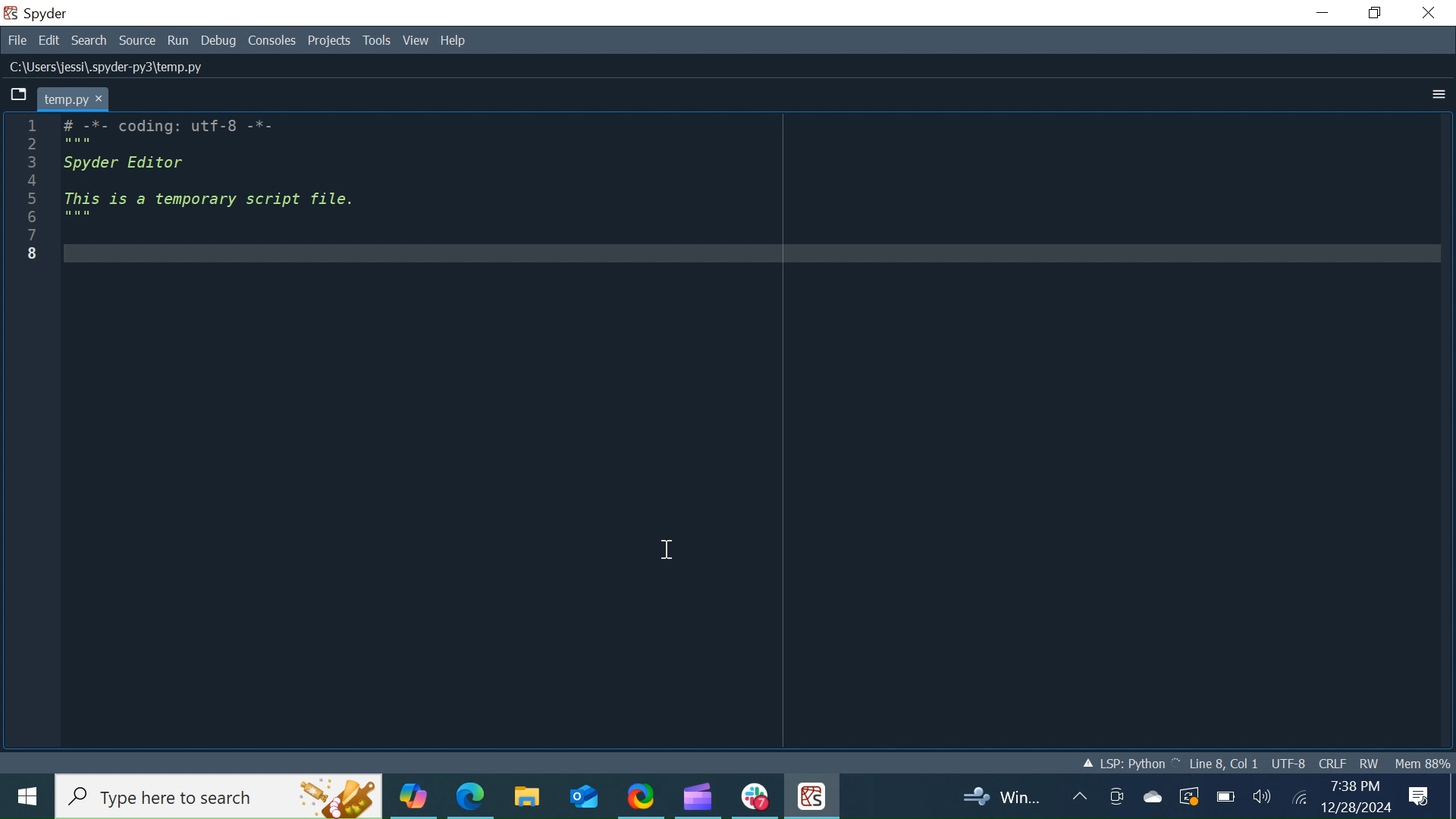 The height and width of the screenshot is (819, 1456). Describe the element at coordinates (1139, 764) in the screenshot. I see `Language` at that location.